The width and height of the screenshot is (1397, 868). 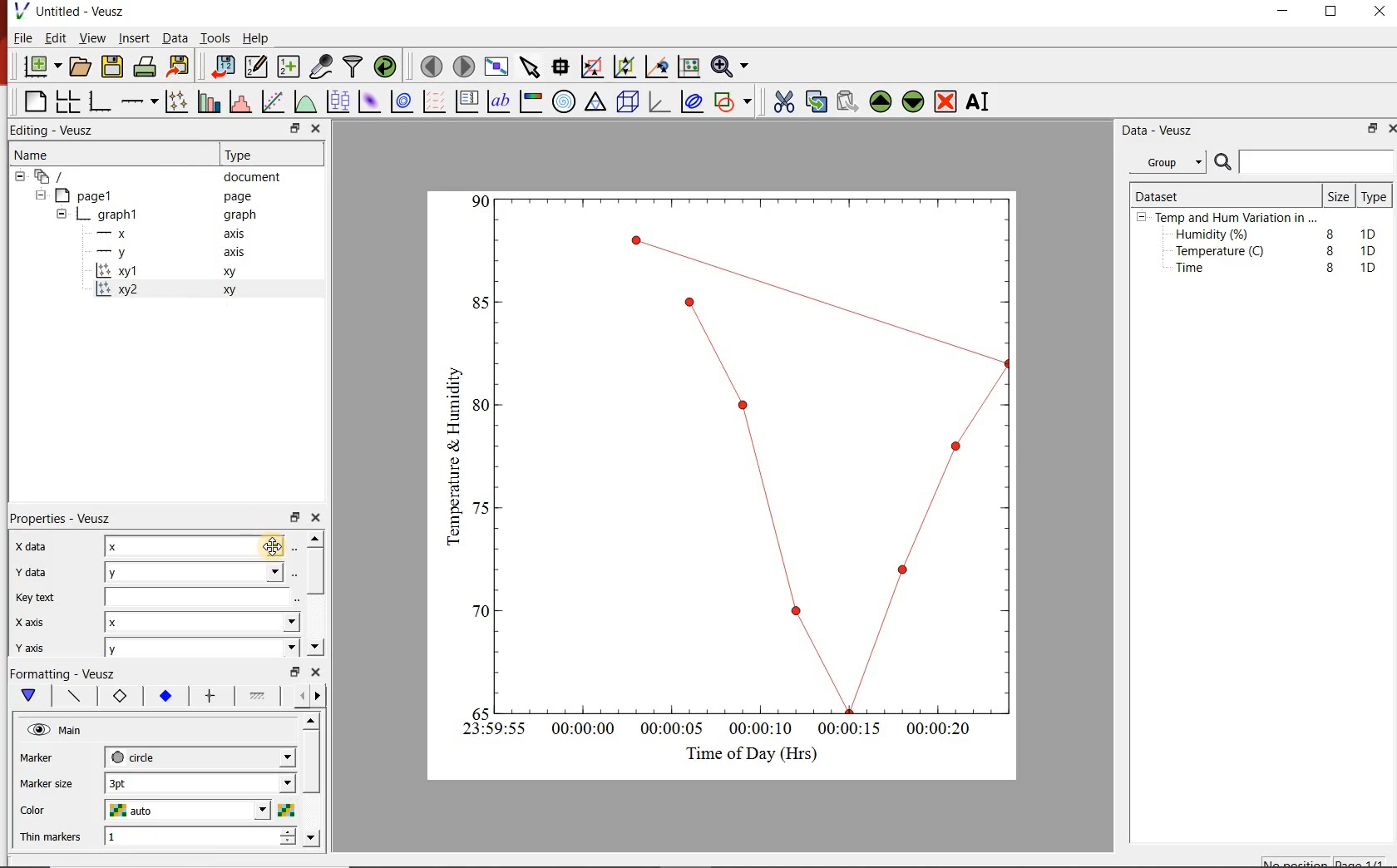 What do you see at coordinates (1327, 231) in the screenshot?
I see `8` at bounding box center [1327, 231].